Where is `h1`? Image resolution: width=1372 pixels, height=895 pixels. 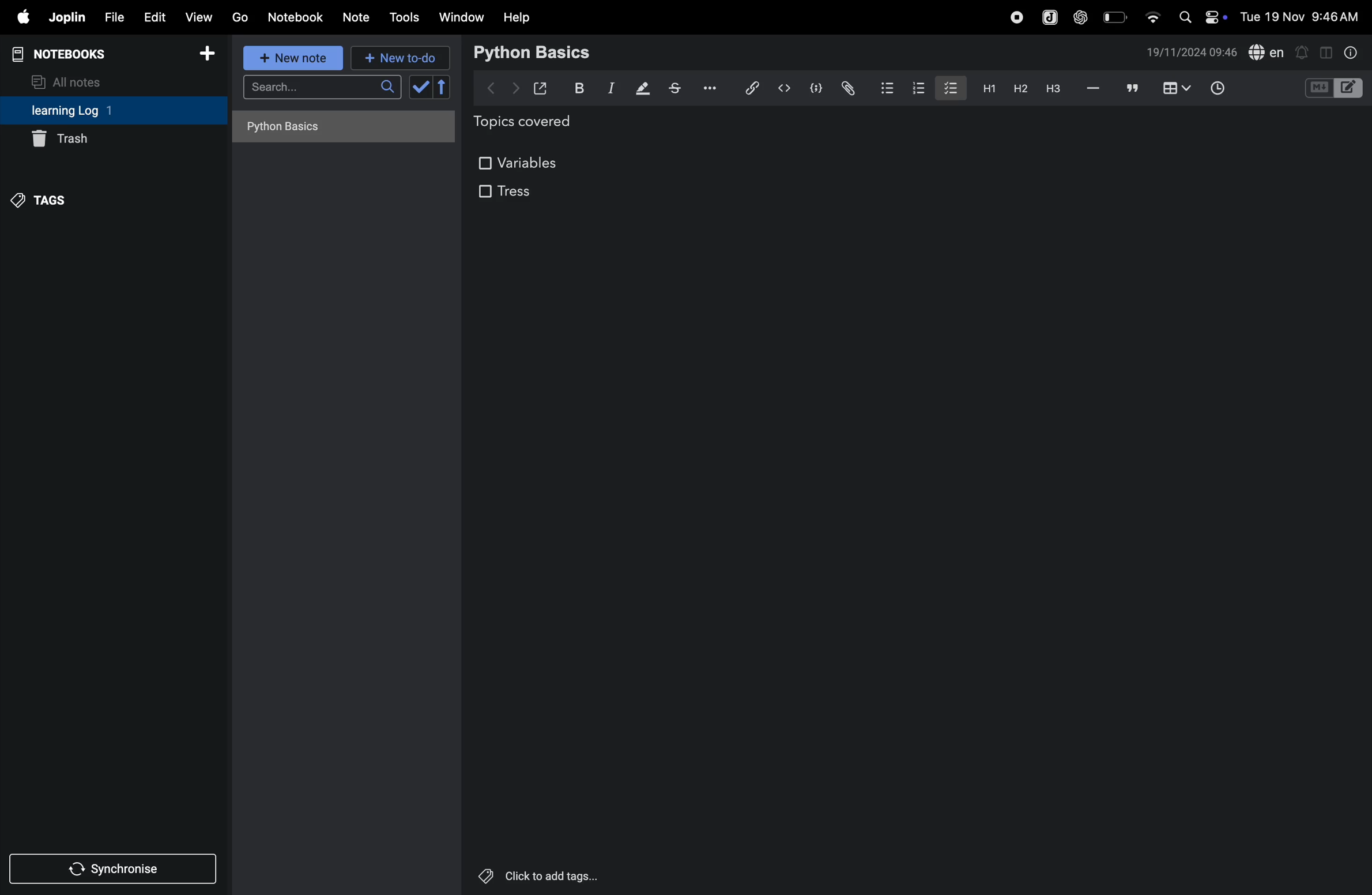 h1 is located at coordinates (986, 88).